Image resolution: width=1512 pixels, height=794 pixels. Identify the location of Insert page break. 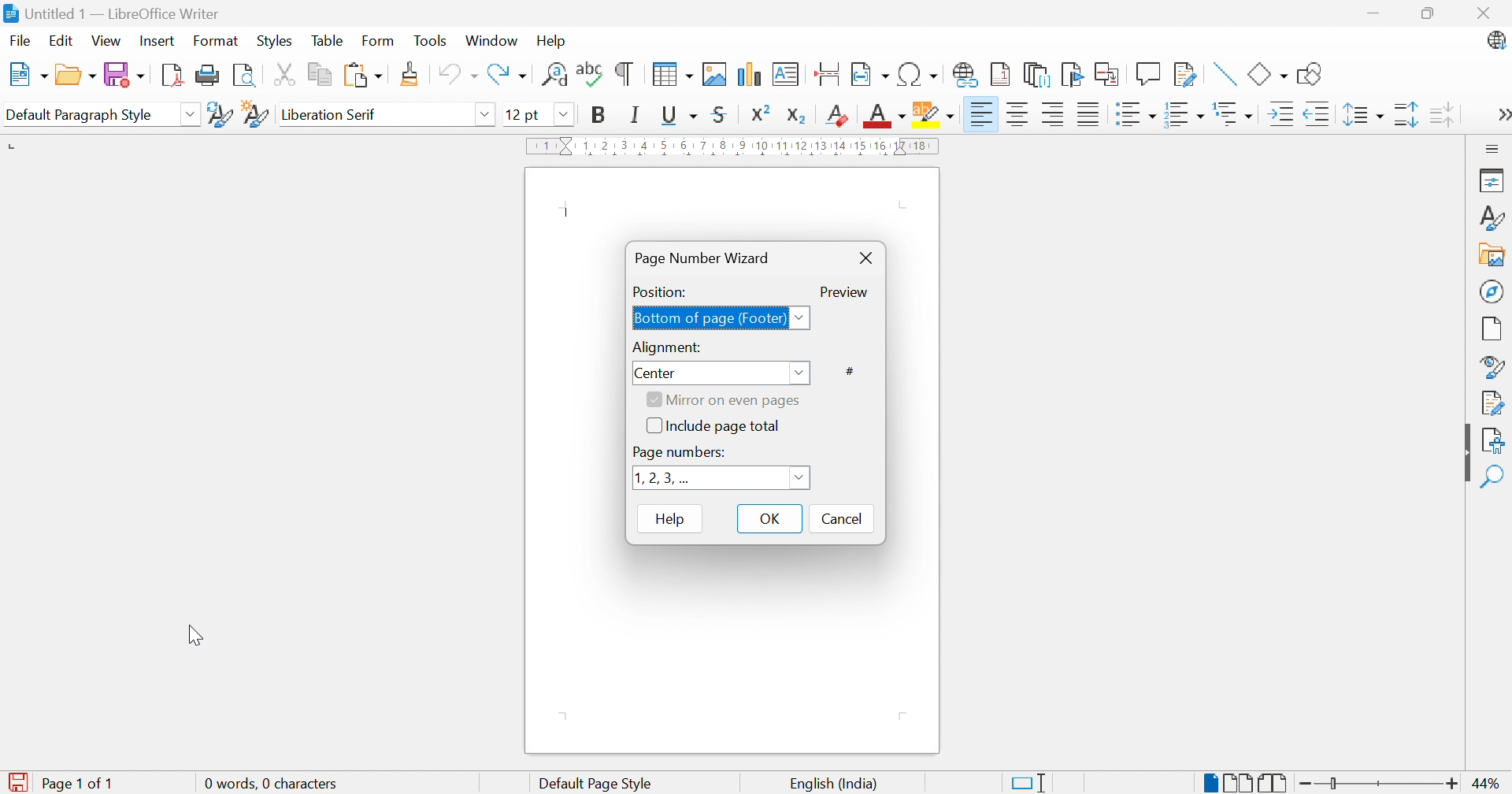
(827, 72).